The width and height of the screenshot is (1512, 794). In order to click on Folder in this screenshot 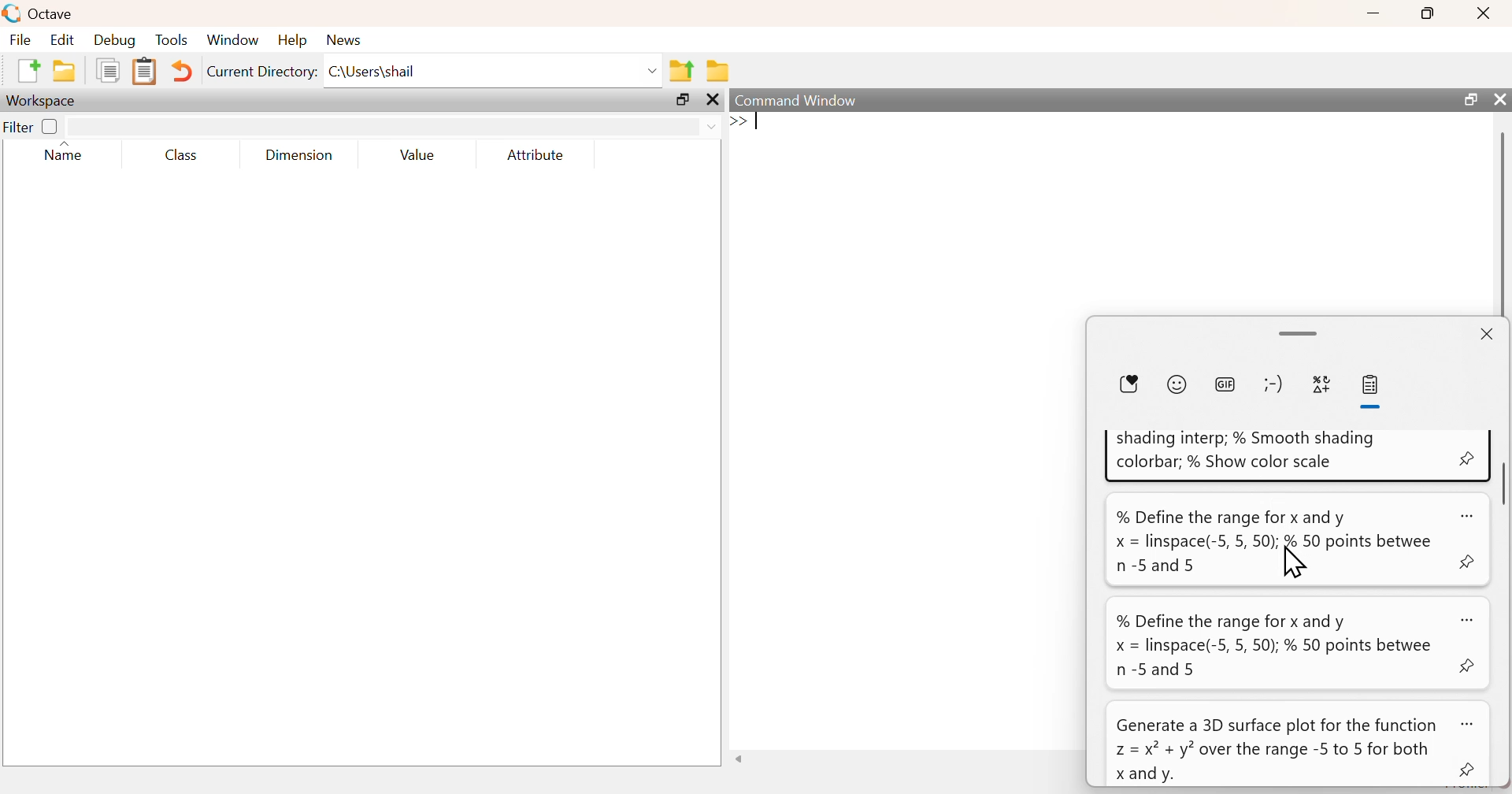, I will do `click(718, 71)`.